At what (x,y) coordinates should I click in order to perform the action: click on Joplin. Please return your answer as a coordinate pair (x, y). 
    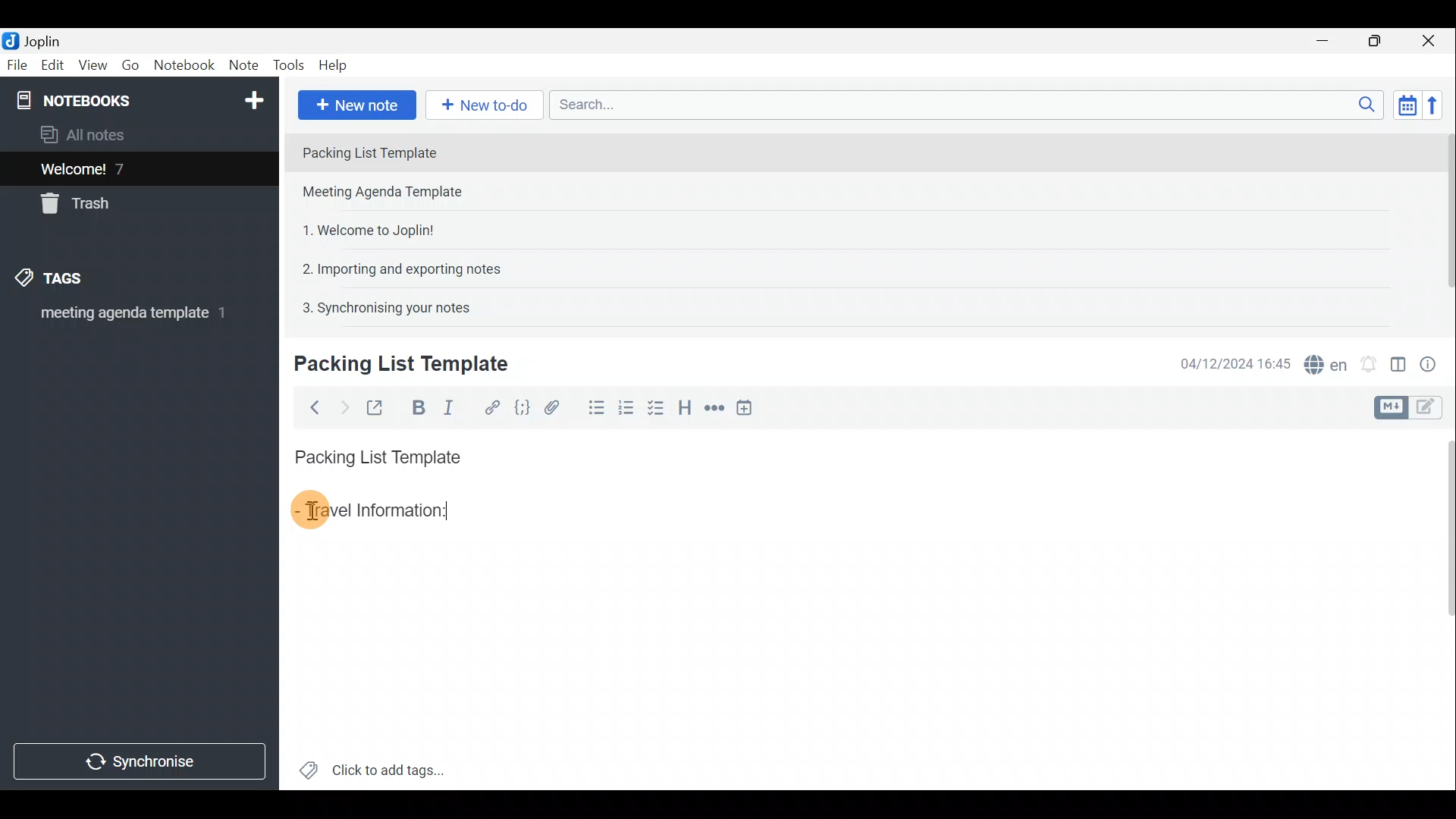
    Looking at the image, I should click on (36, 40).